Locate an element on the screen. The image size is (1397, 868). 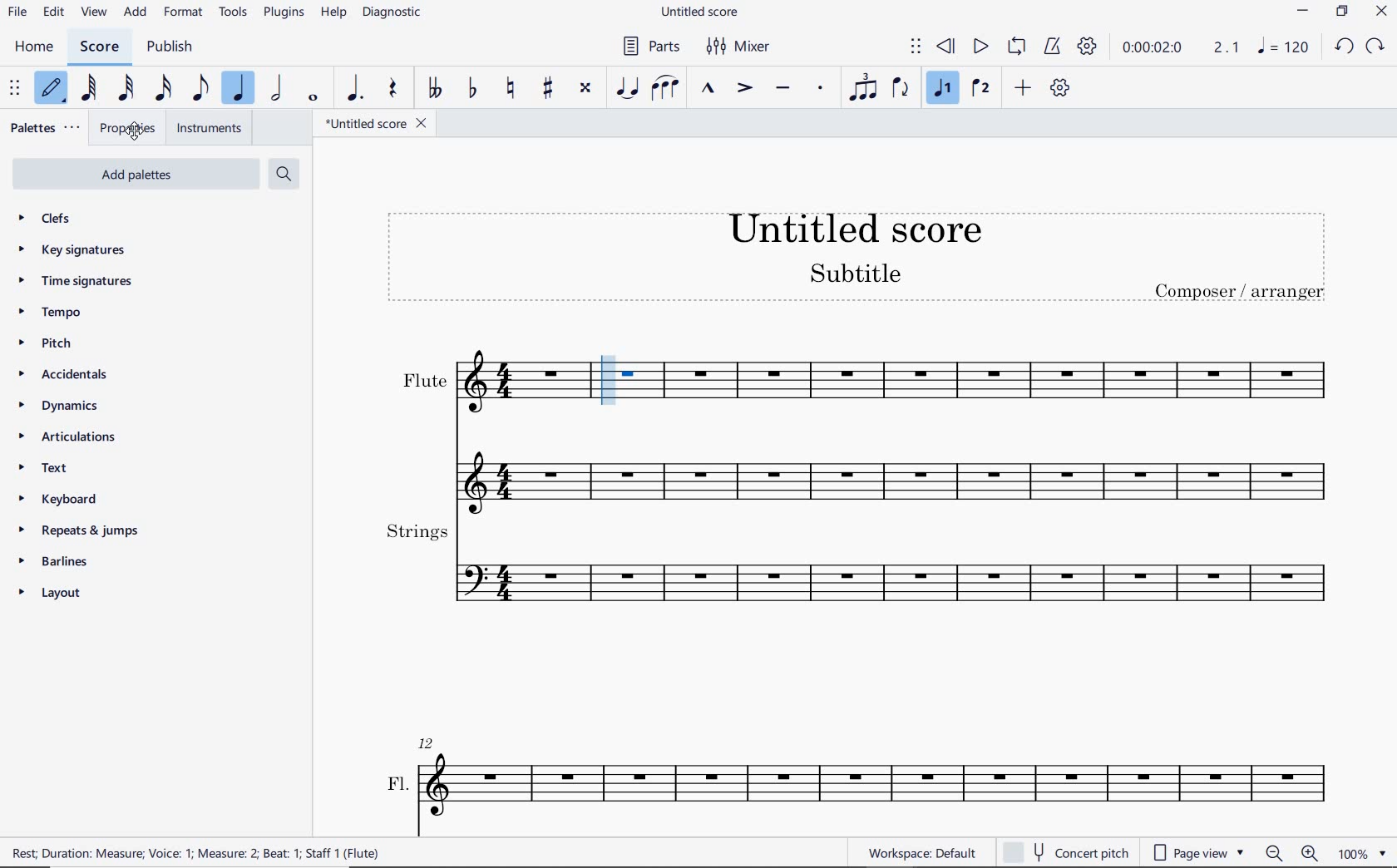
workspace default is located at coordinates (921, 853).